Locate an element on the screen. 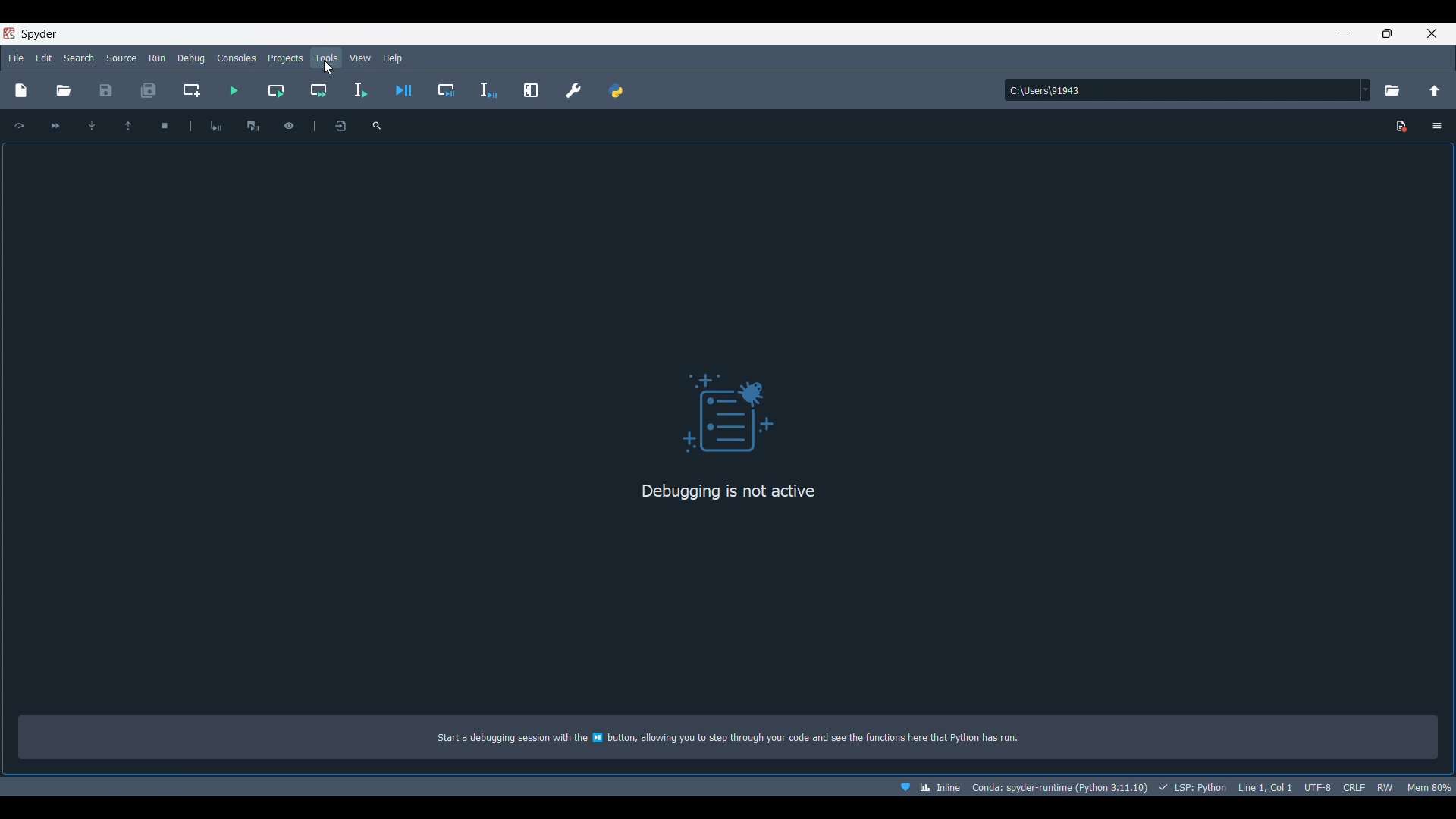  profiler is located at coordinates (289, 124).